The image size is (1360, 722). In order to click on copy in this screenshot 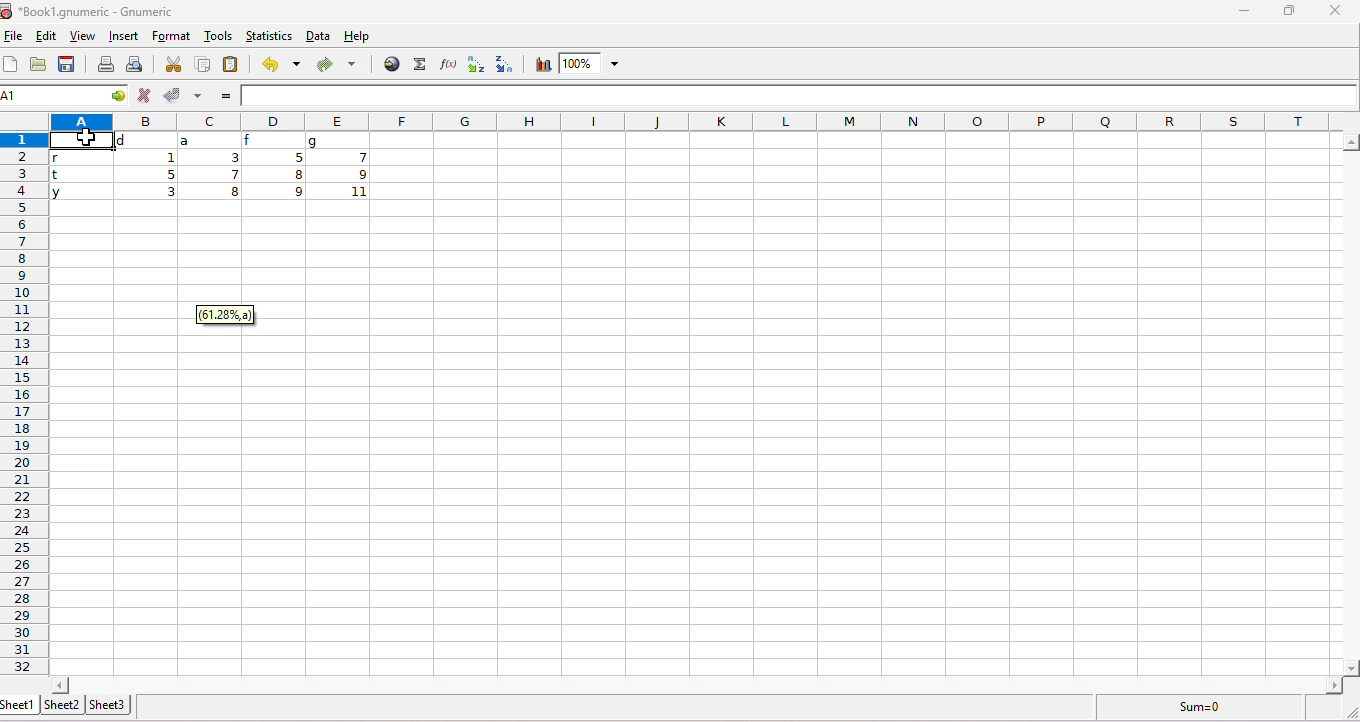, I will do `click(201, 64)`.